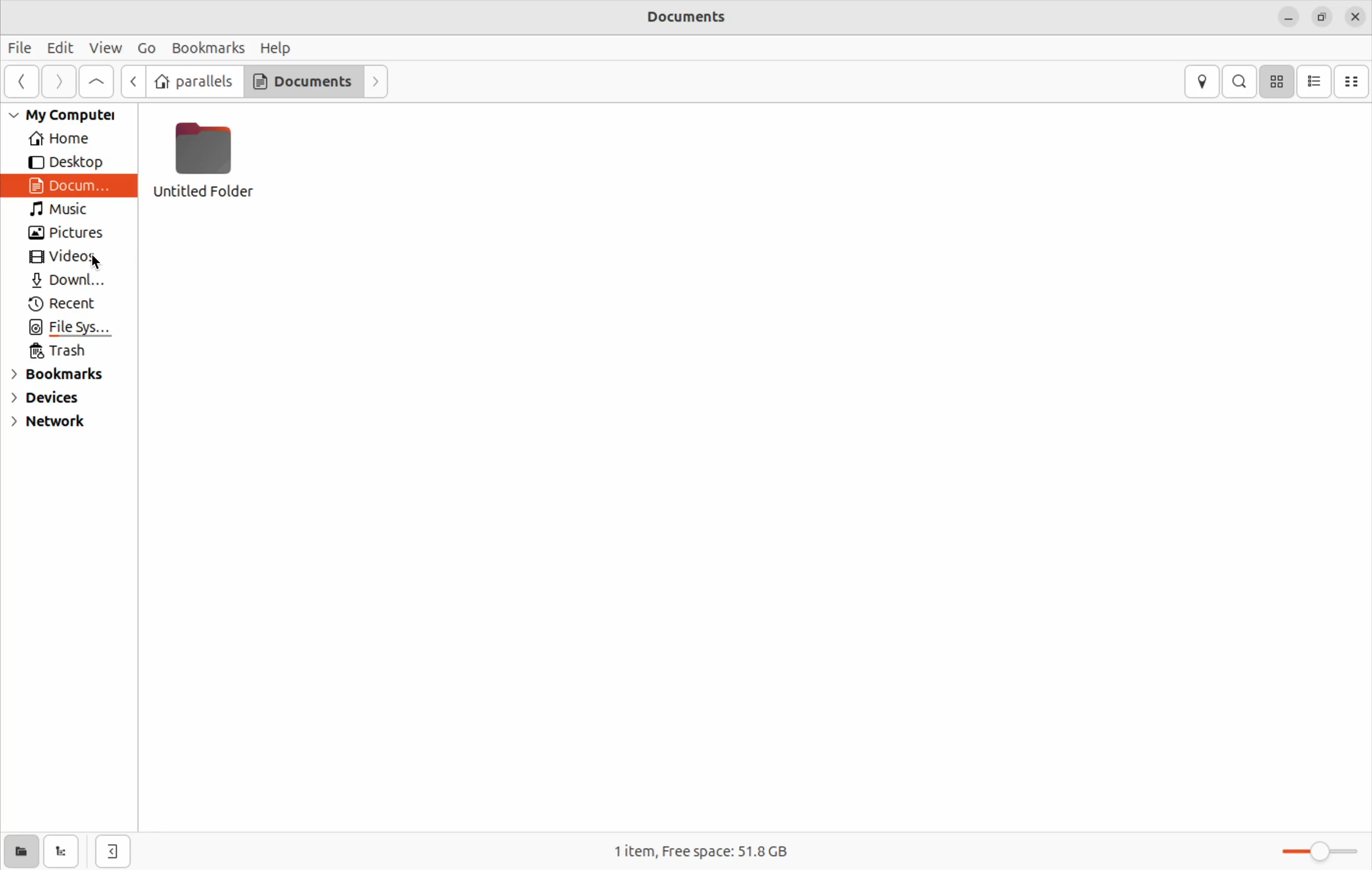  What do you see at coordinates (112, 853) in the screenshot?
I see `close side bar` at bounding box center [112, 853].